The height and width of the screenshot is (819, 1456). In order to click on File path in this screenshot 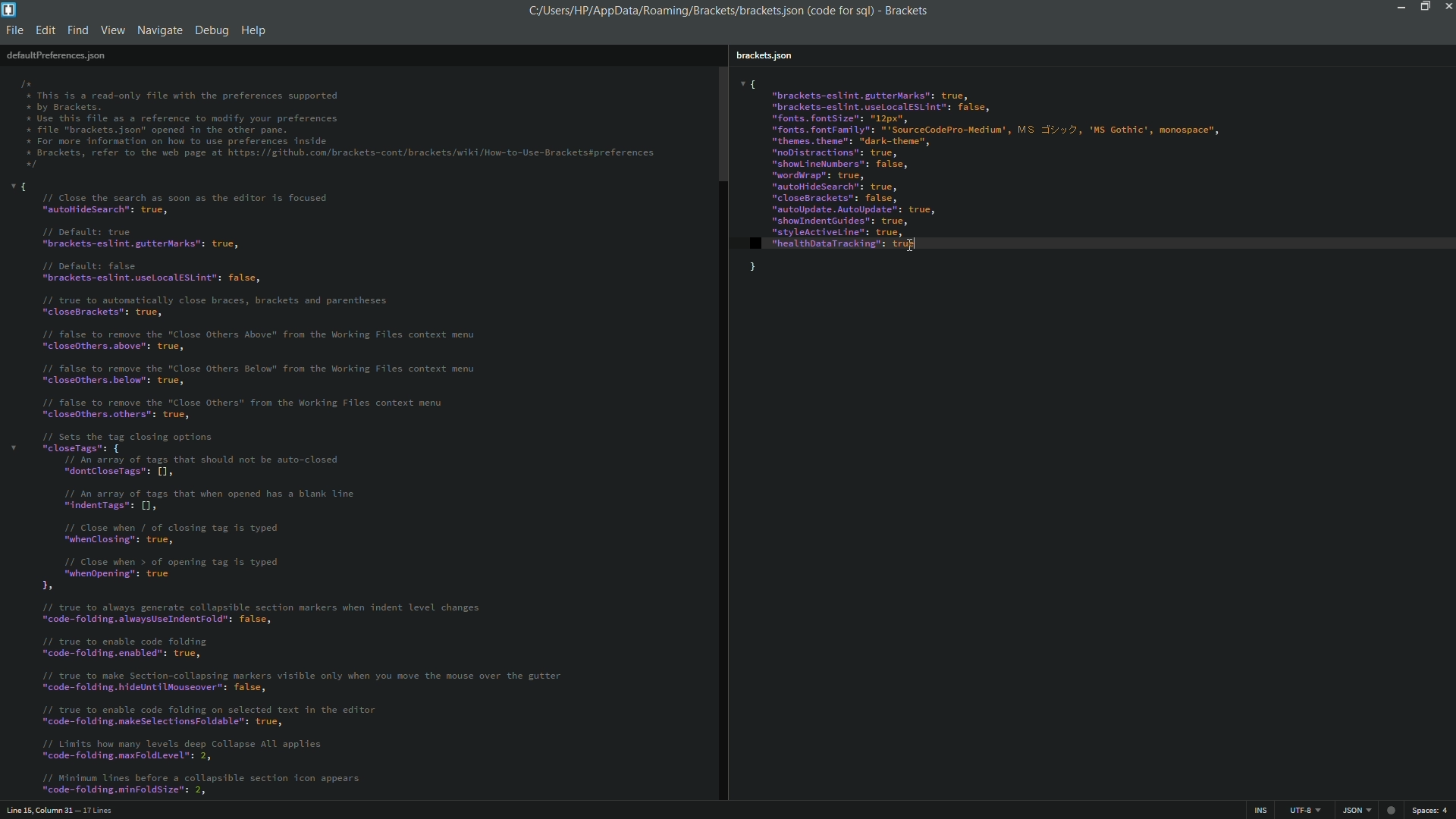, I will do `click(697, 10)`.